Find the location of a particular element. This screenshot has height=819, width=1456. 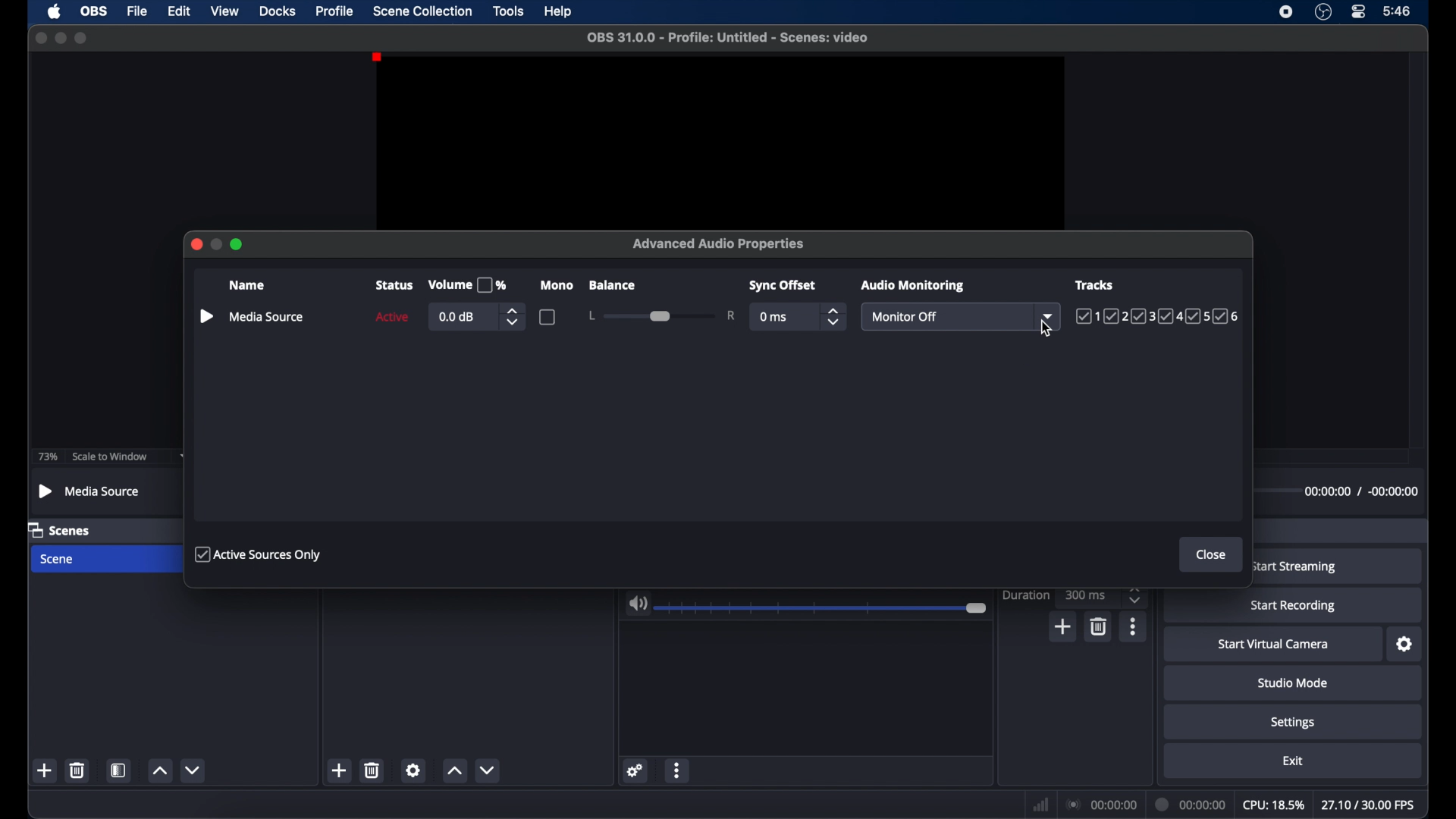

scenes is located at coordinates (62, 531).